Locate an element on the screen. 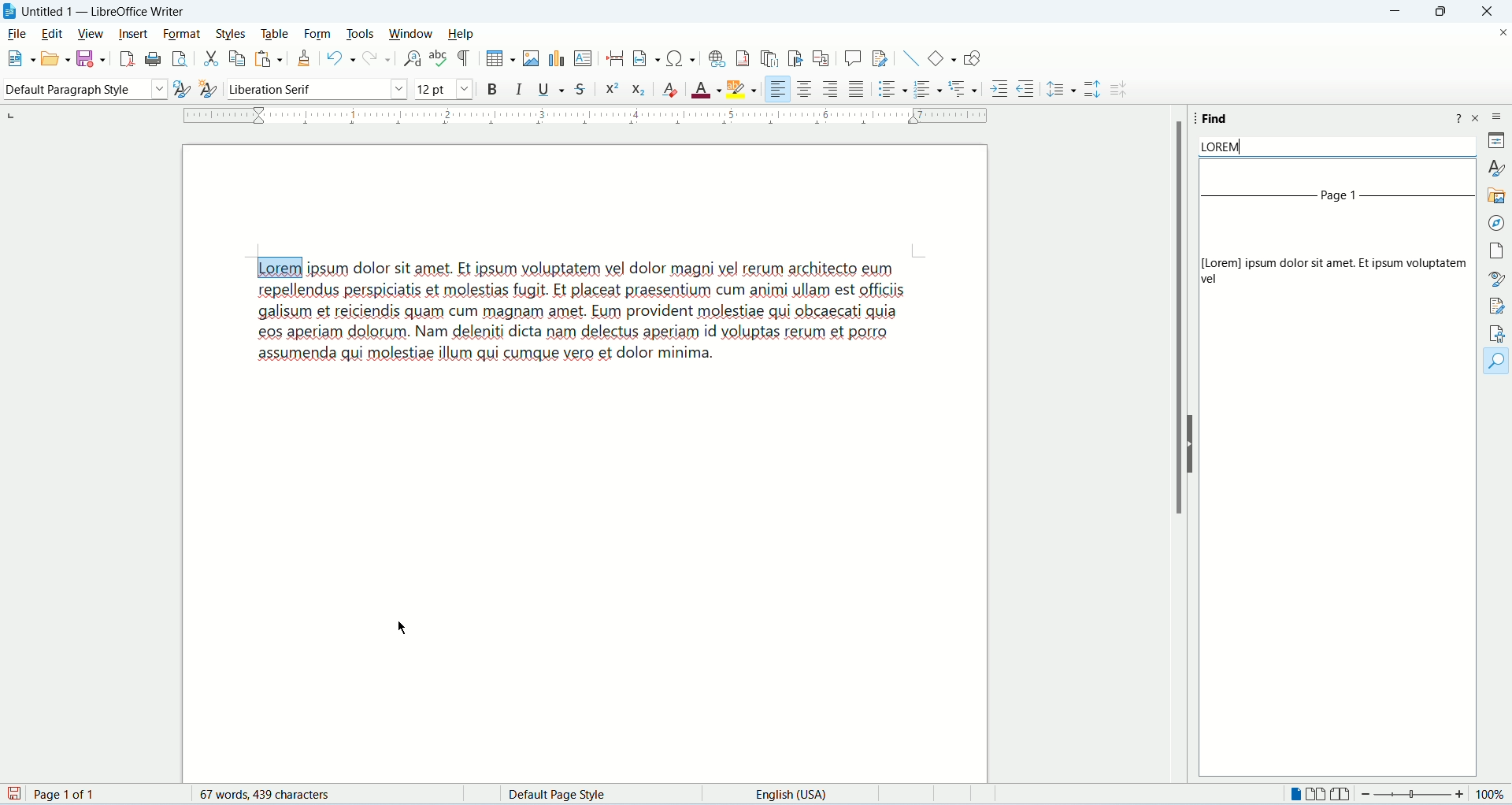  font name is located at coordinates (313, 90).